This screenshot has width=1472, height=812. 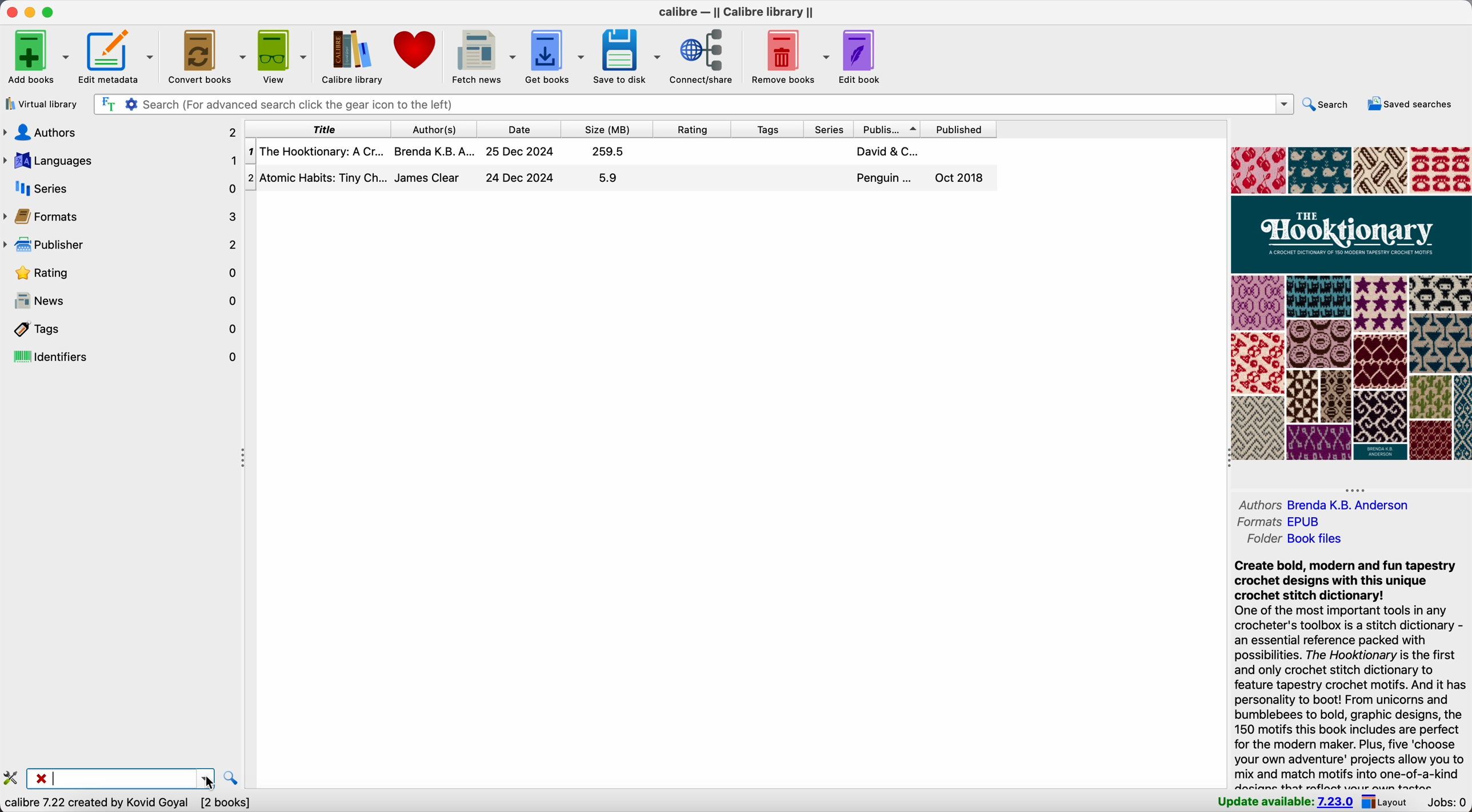 I want to click on search, so click(x=1327, y=105).